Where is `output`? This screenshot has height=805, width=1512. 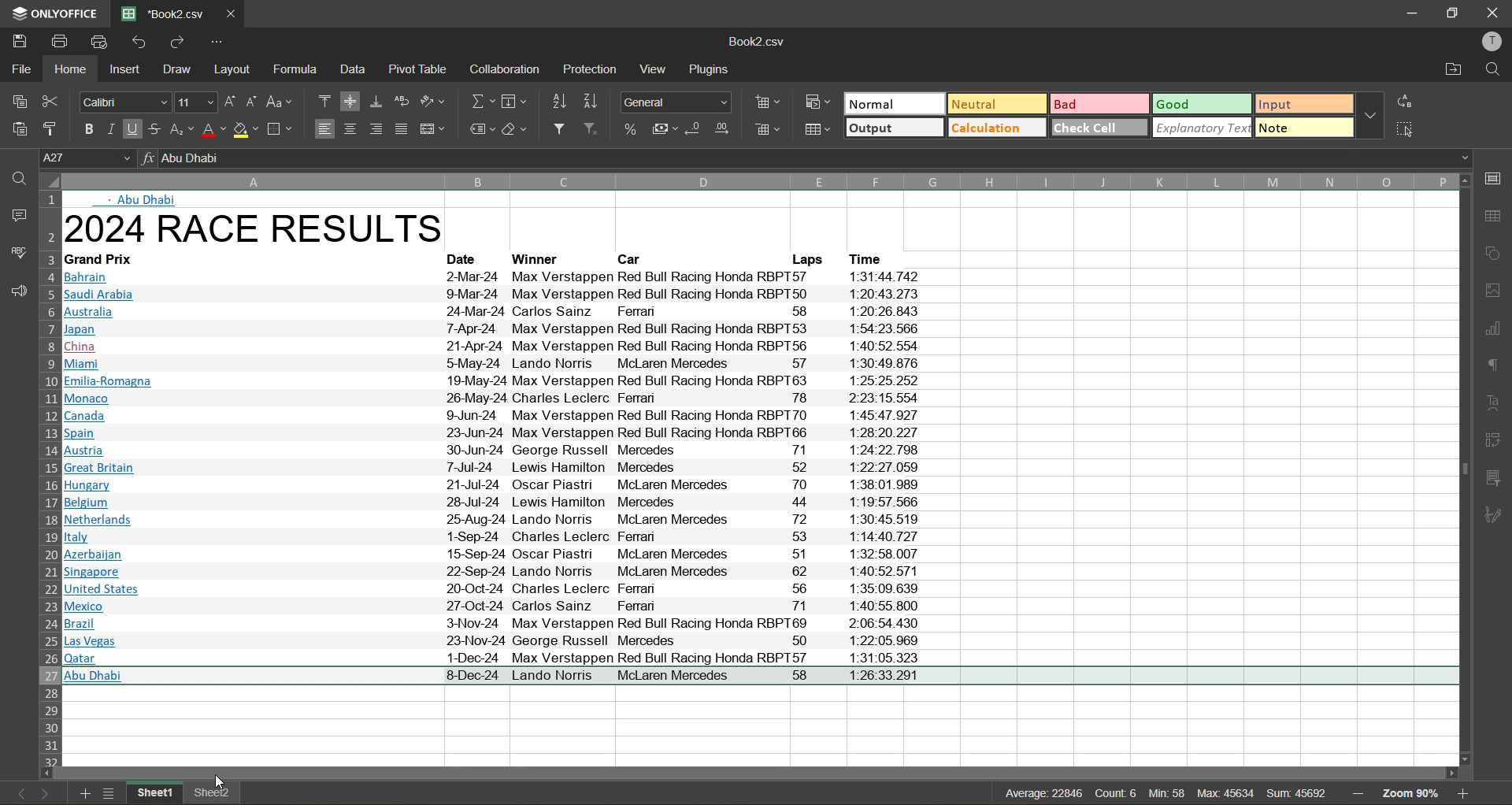
output is located at coordinates (895, 129).